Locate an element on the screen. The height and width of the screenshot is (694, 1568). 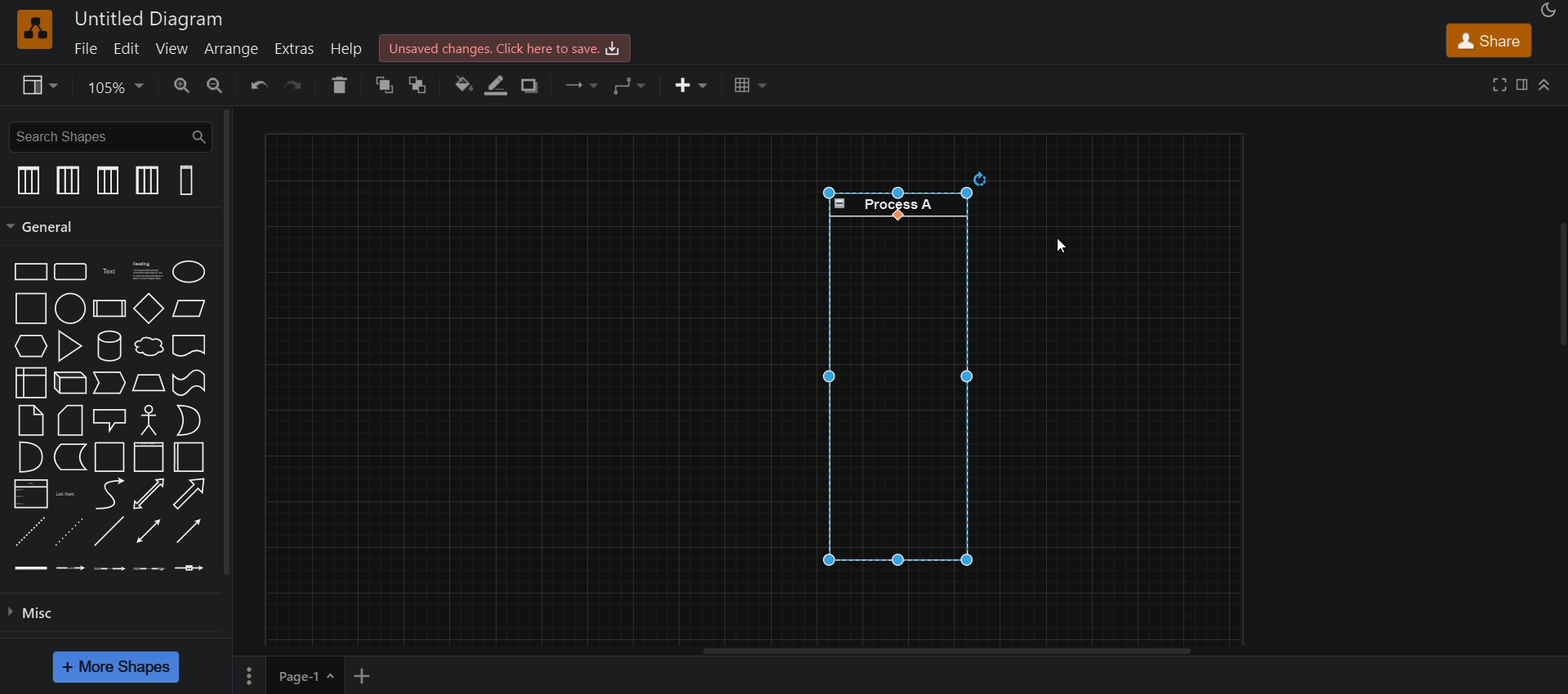
trinagle is located at coordinates (71, 345).